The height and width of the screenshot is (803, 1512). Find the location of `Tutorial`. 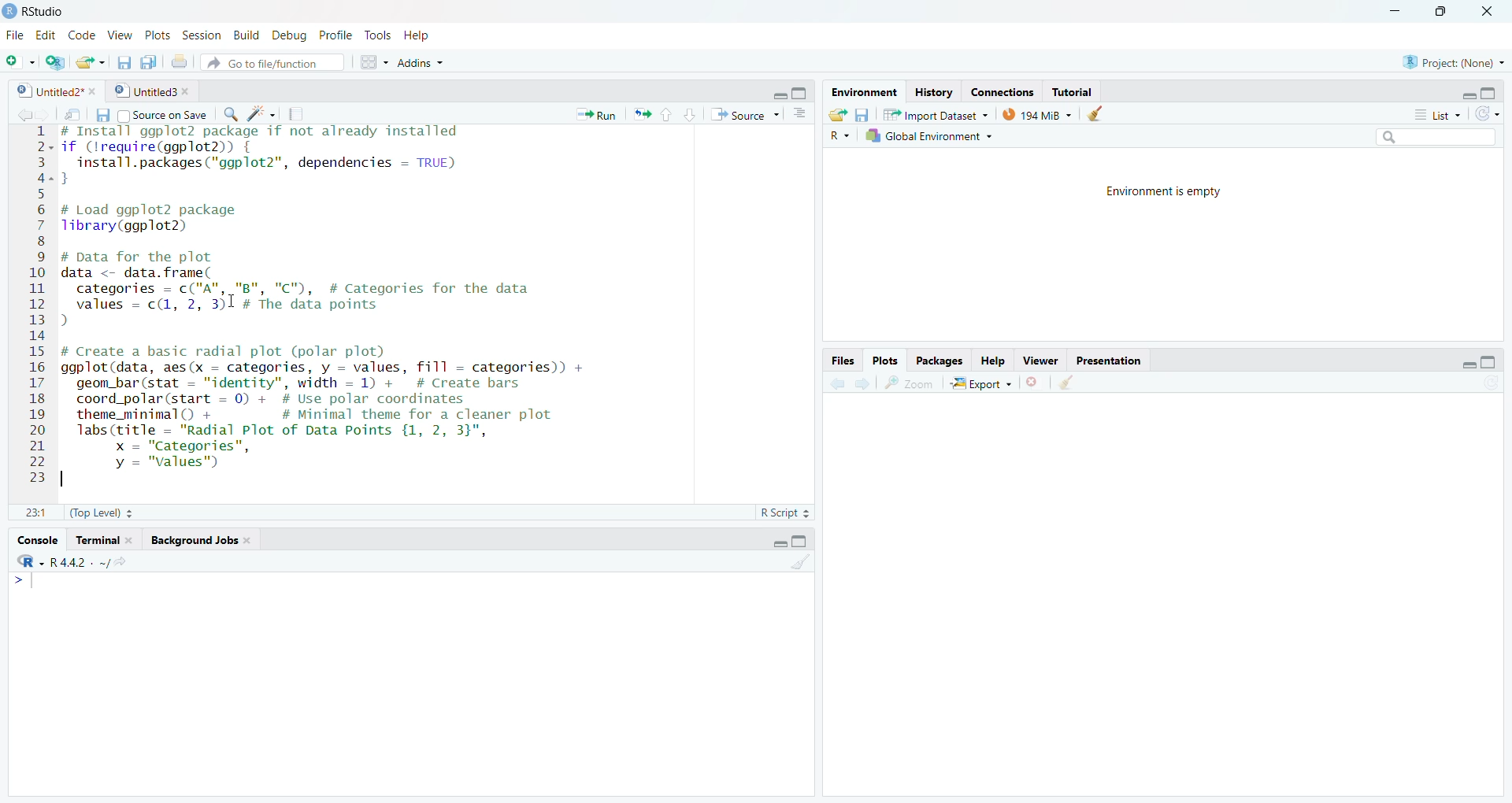

Tutorial is located at coordinates (1077, 92).